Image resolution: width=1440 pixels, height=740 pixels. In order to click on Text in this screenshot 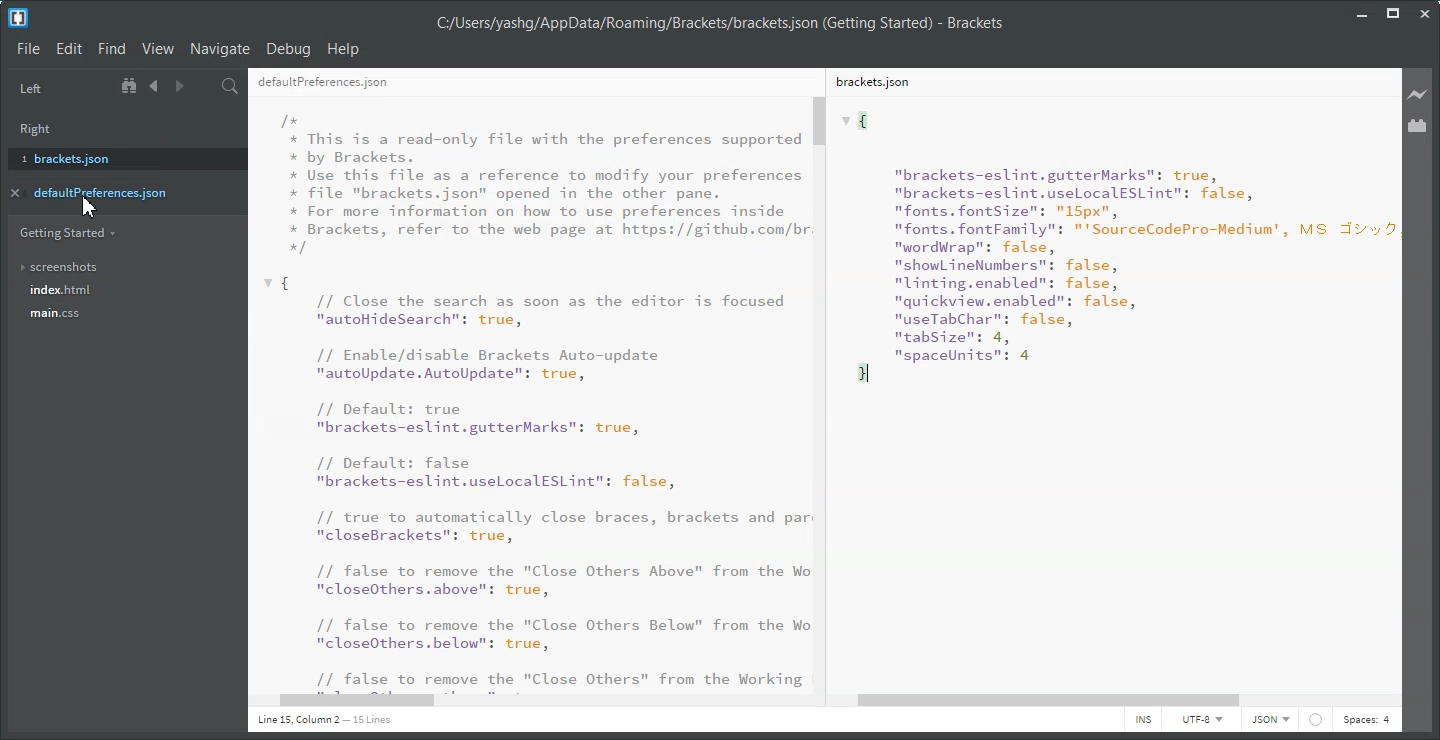, I will do `click(1106, 392)`.